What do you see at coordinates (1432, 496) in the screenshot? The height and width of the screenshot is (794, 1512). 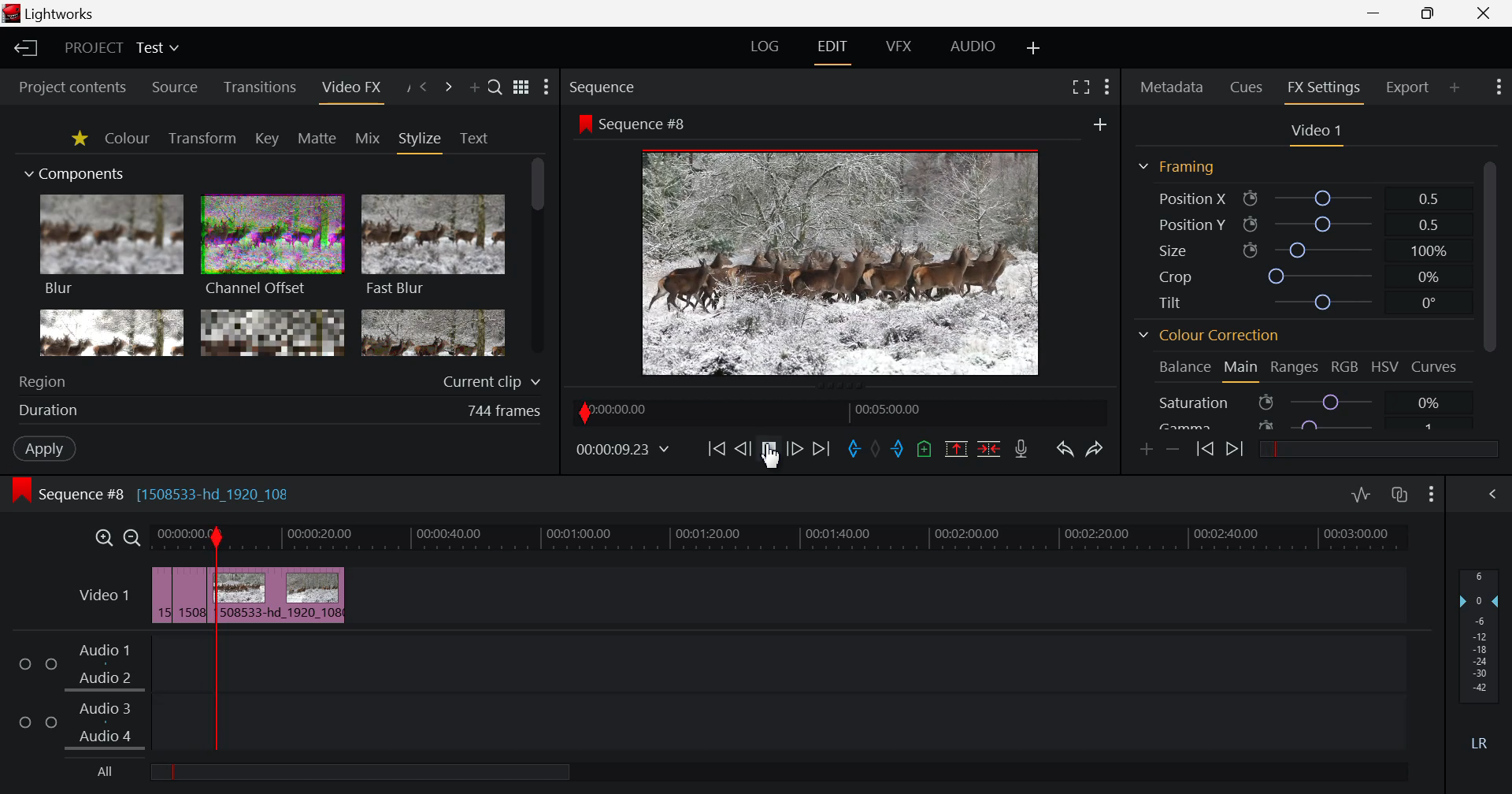 I see `Show Settings` at bounding box center [1432, 496].